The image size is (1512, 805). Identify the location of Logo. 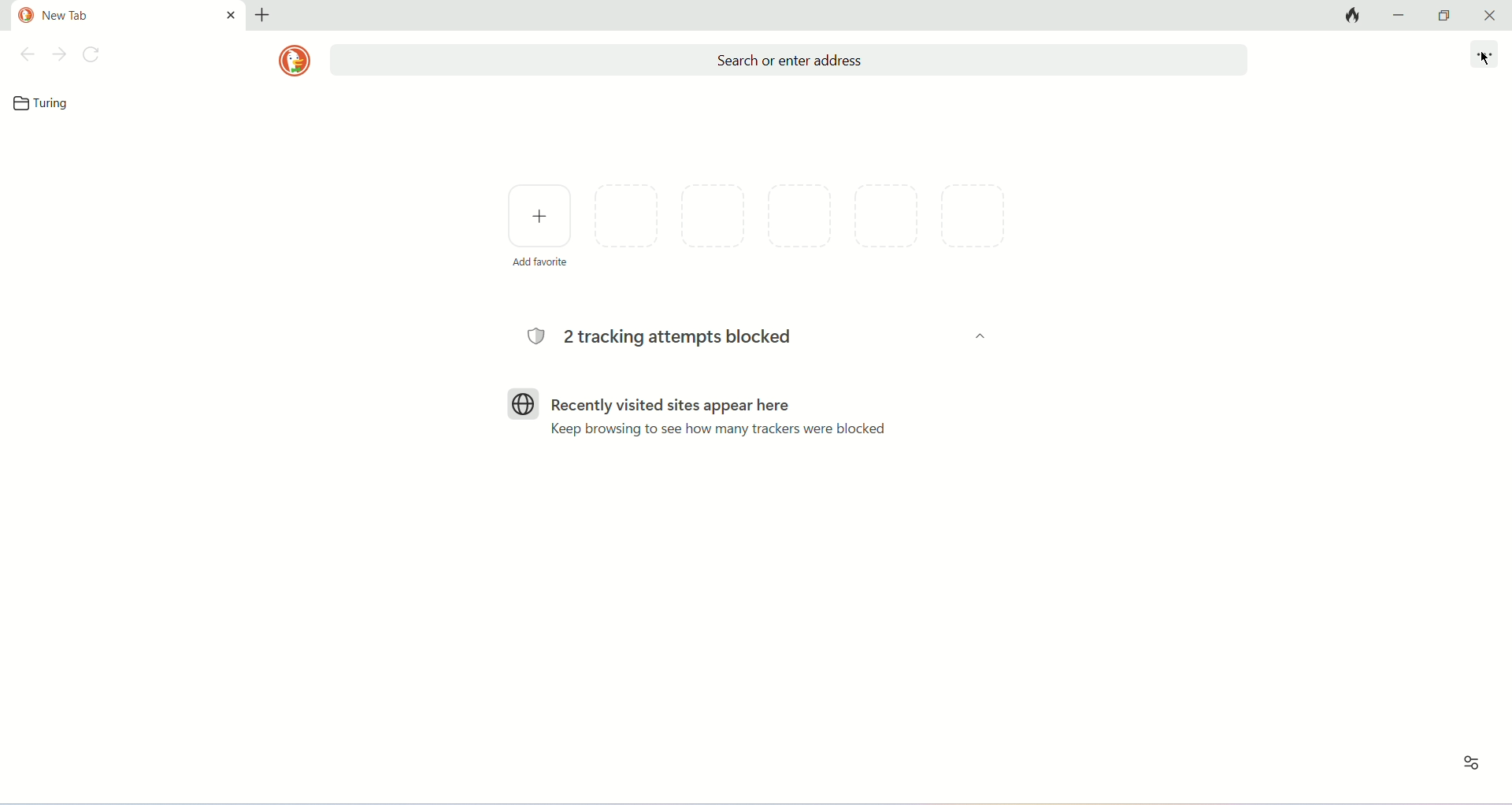
(524, 402).